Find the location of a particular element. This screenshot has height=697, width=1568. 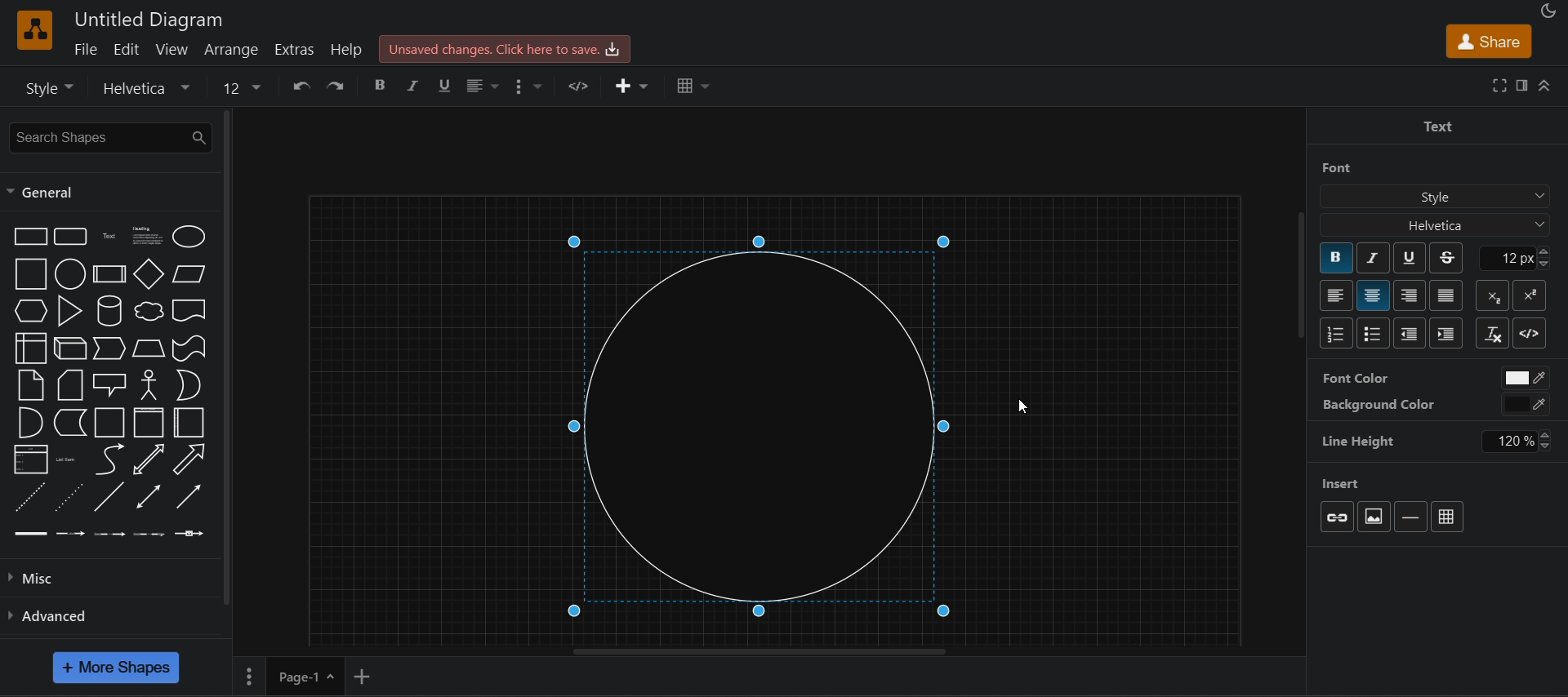

process is located at coordinates (112, 275).